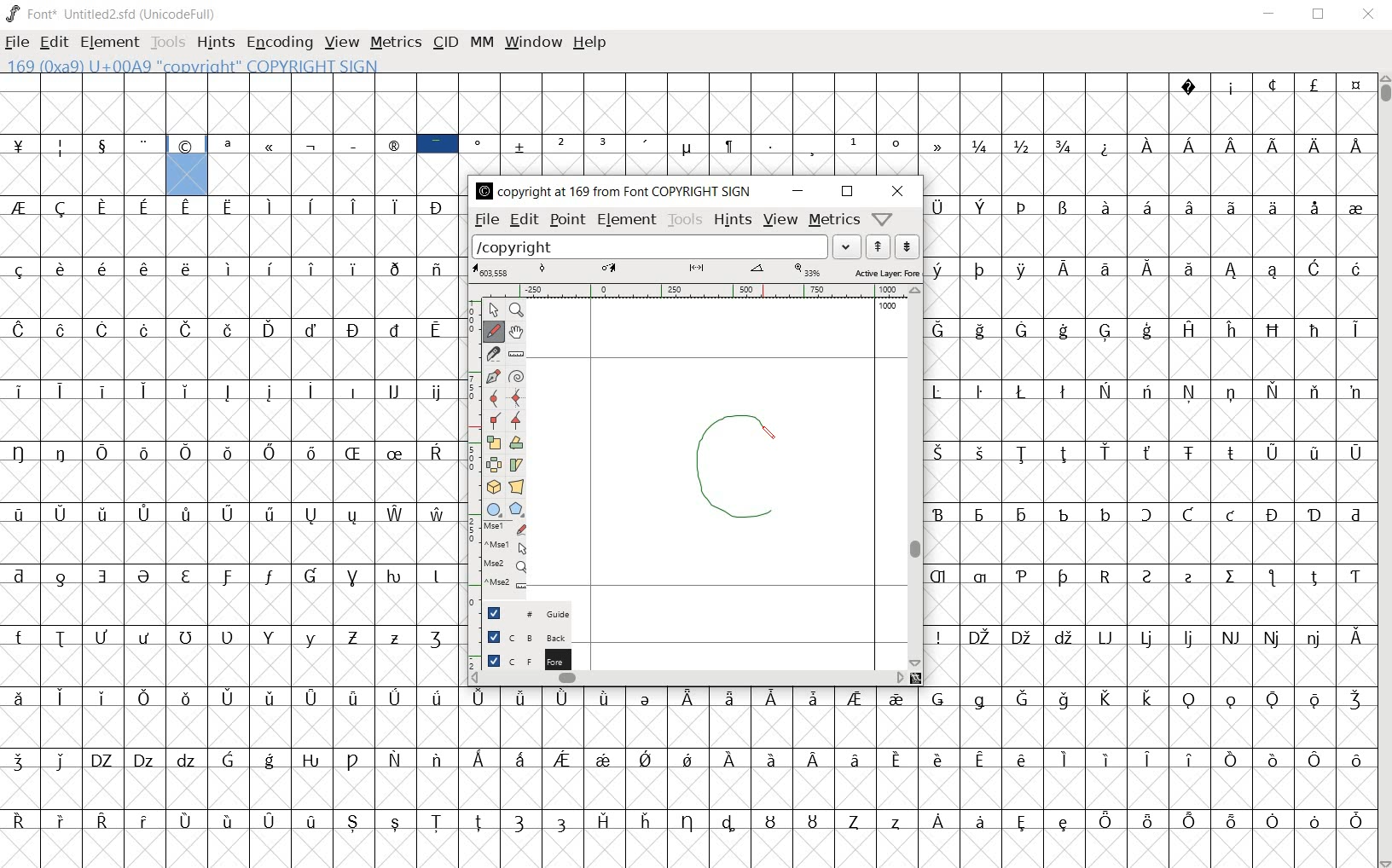  What do you see at coordinates (848, 192) in the screenshot?
I see `restore` at bounding box center [848, 192].